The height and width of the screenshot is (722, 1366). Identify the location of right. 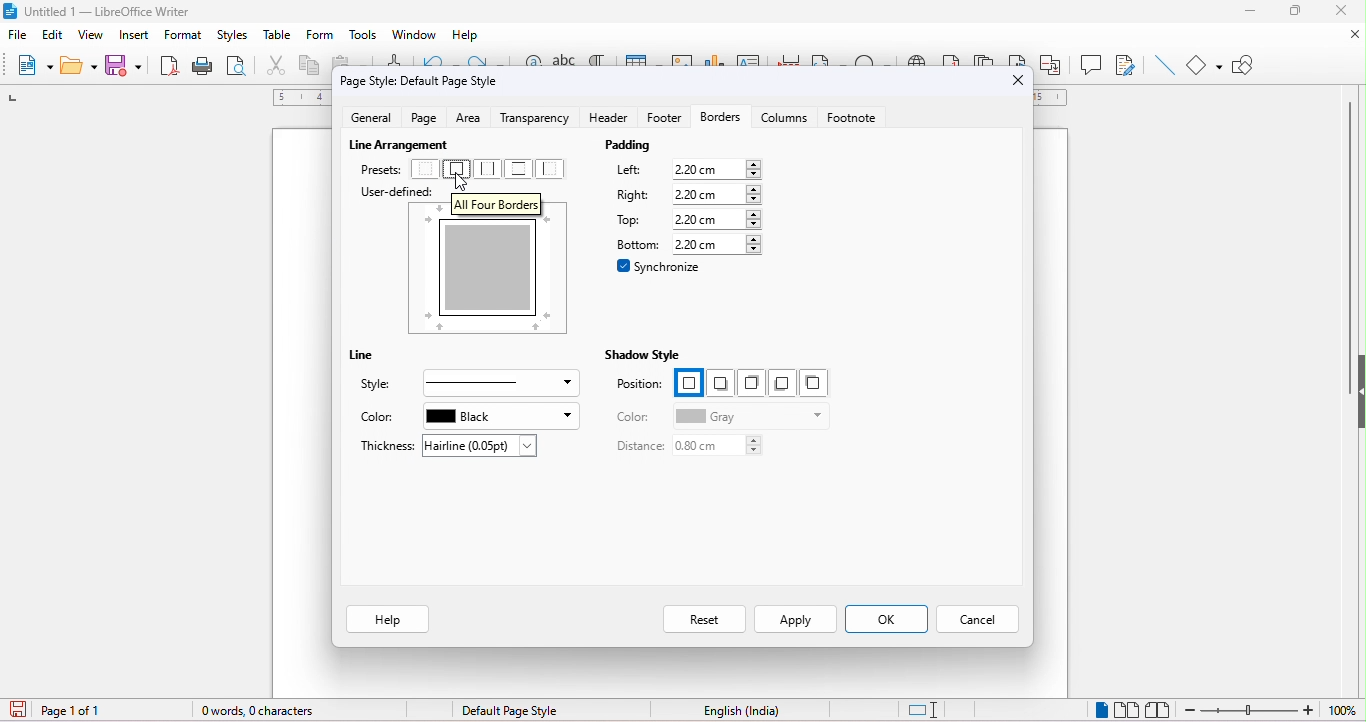
(635, 196).